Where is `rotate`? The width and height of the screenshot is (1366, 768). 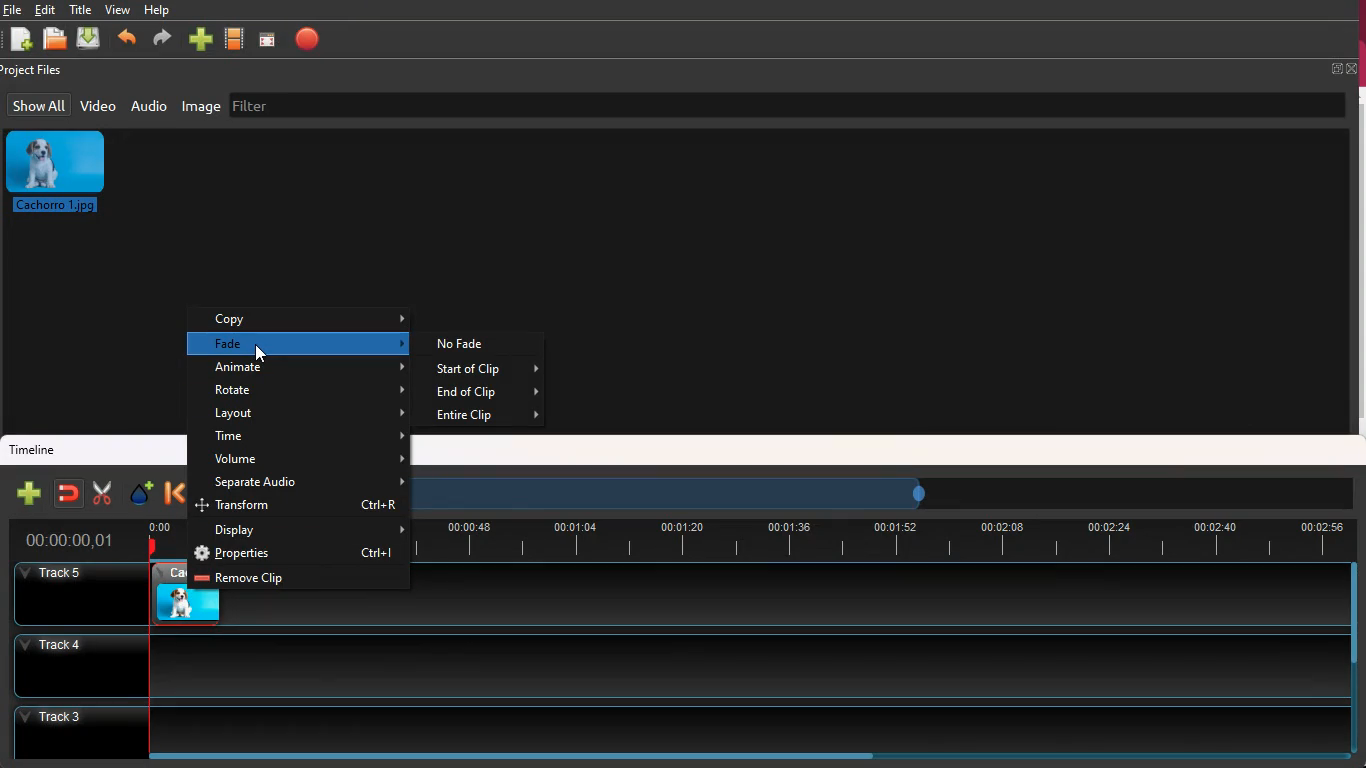 rotate is located at coordinates (309, 392).